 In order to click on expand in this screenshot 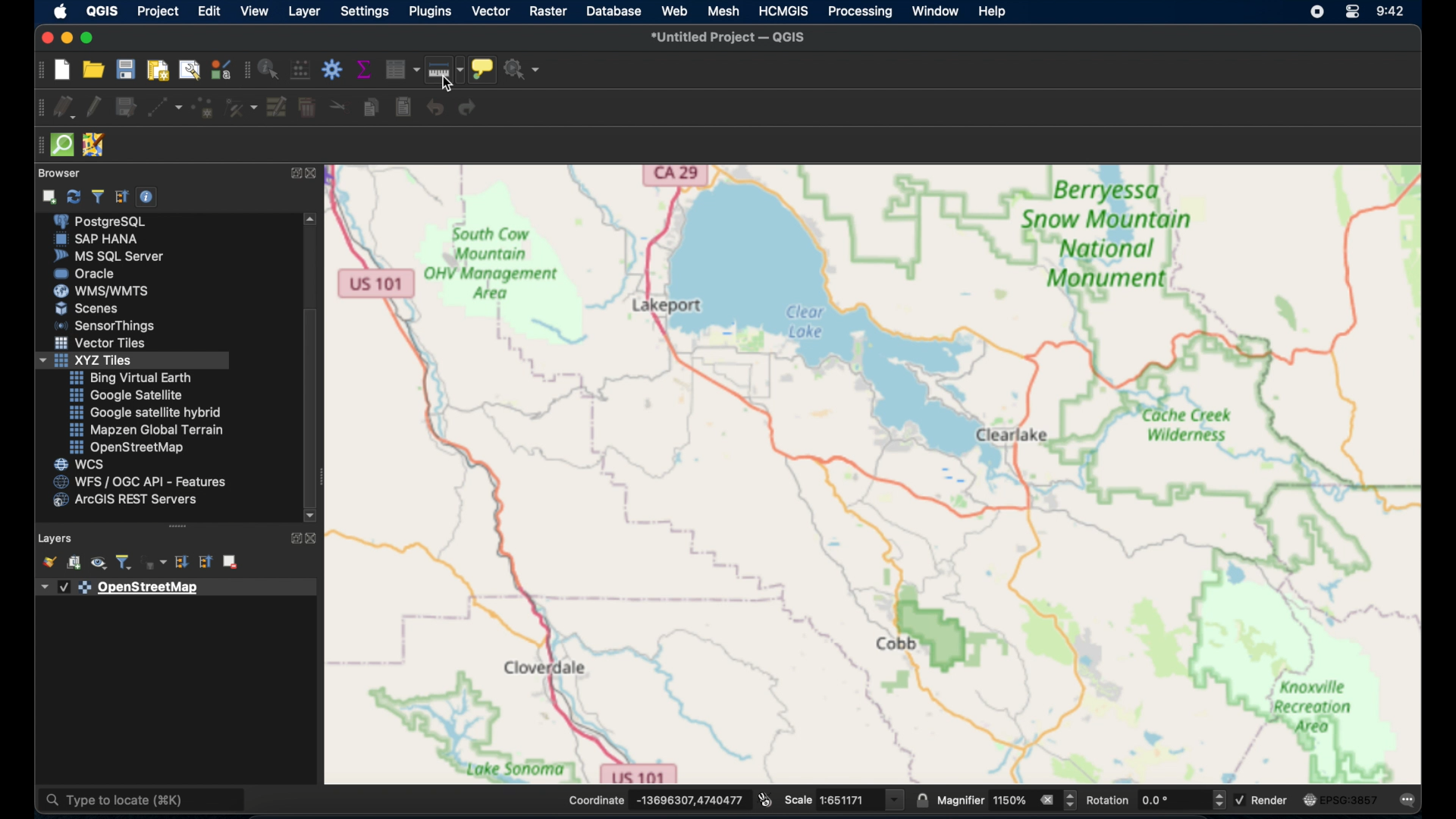, I will do `click(293, 174)`.